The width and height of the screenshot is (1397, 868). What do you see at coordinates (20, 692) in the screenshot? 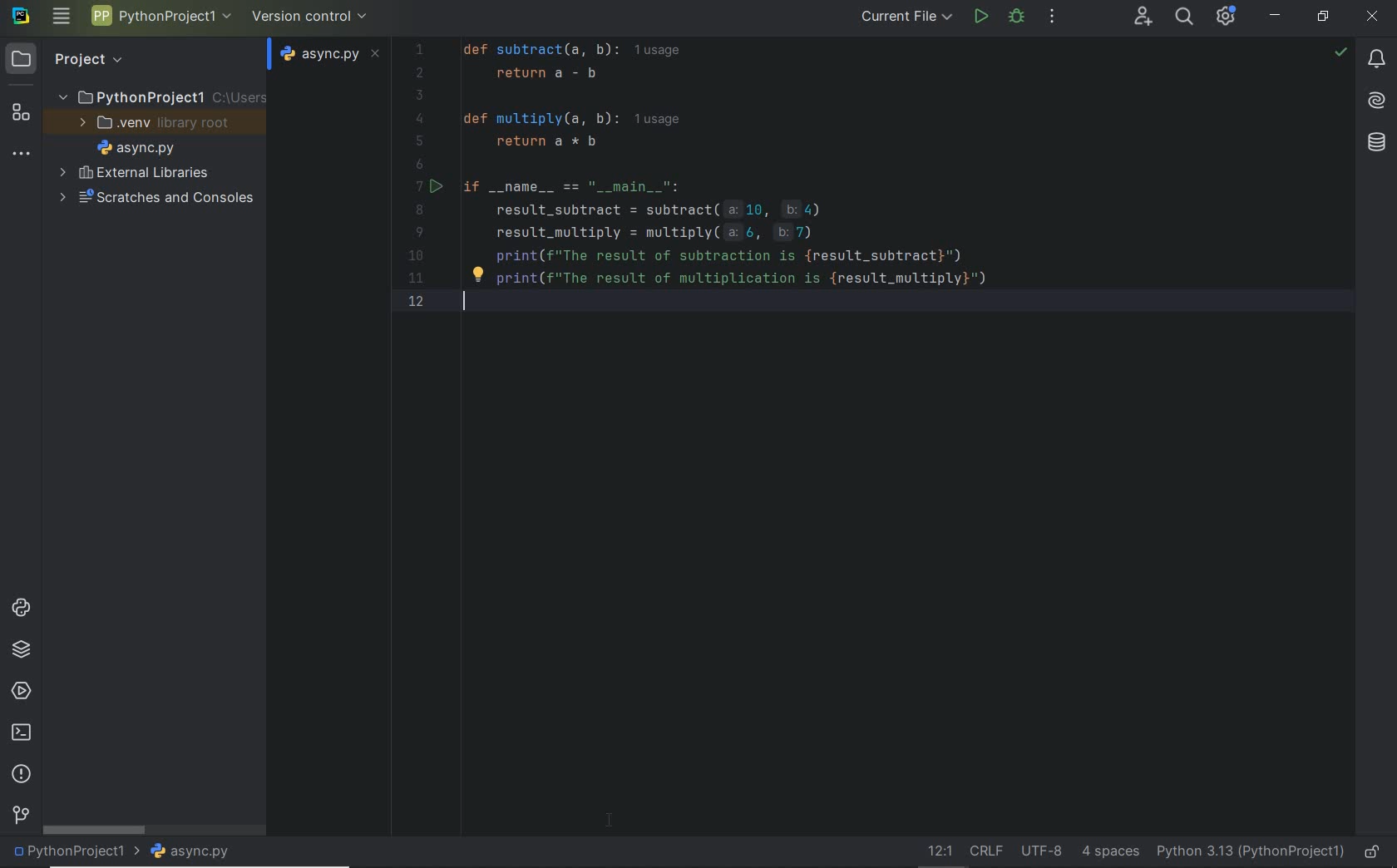
I see `services` at bounding box center [20, 692].